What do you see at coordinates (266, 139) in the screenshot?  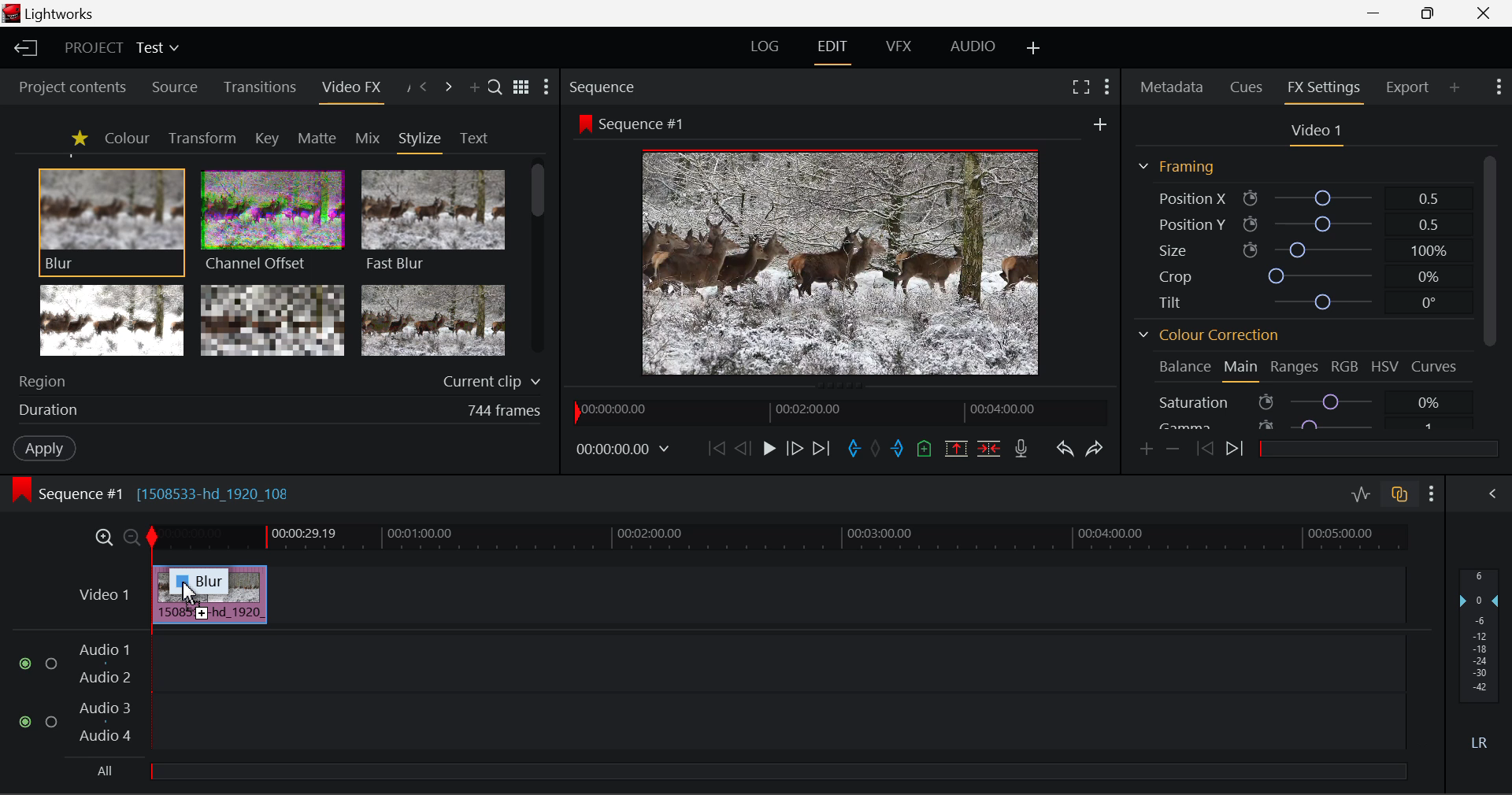 I see `Key` at bounding box center [266, 139].